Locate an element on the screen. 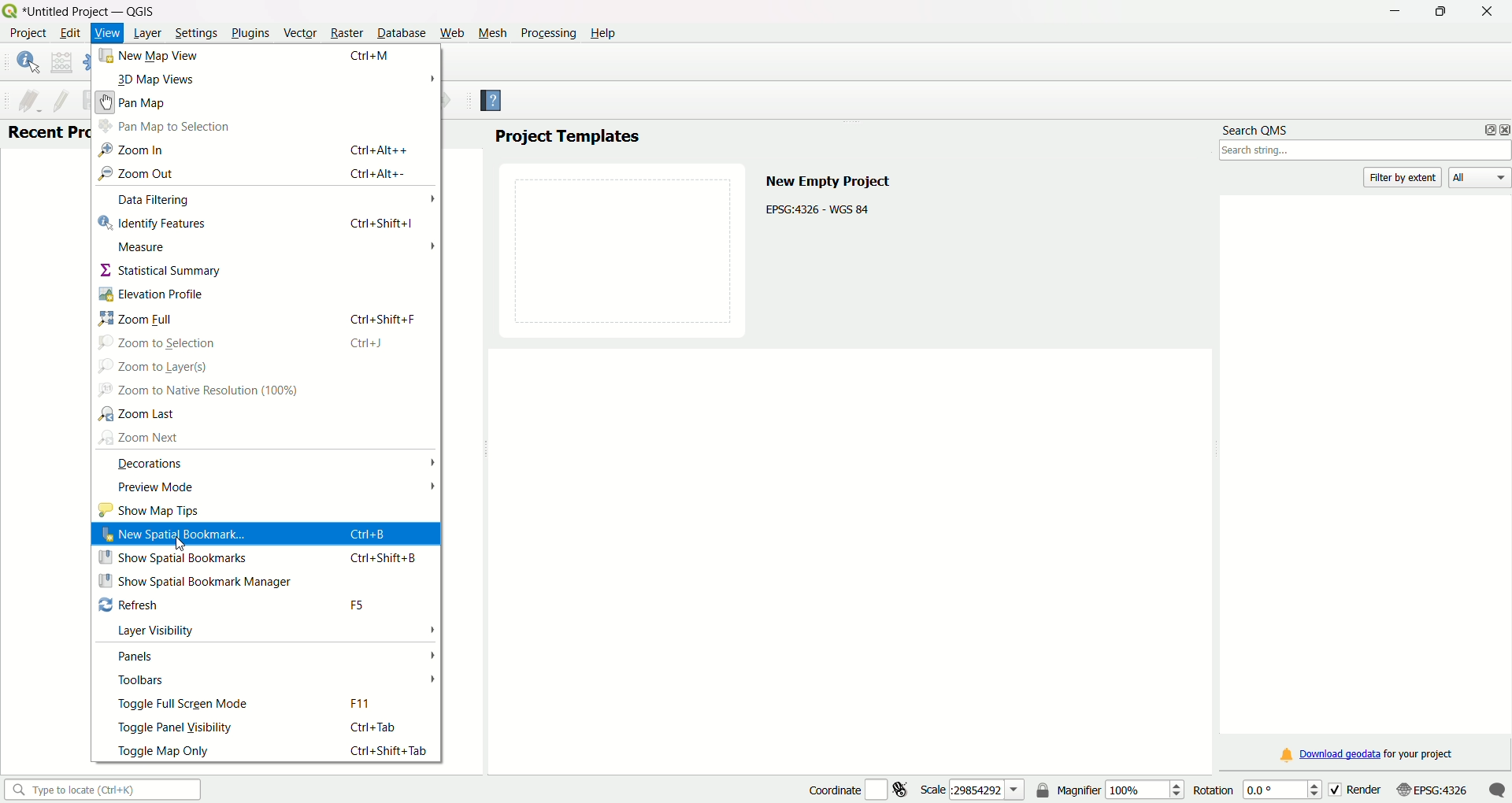 The width and height of the screenshot is (1512, 803). ctrl+shift+F is located at coordinates (383, 318).